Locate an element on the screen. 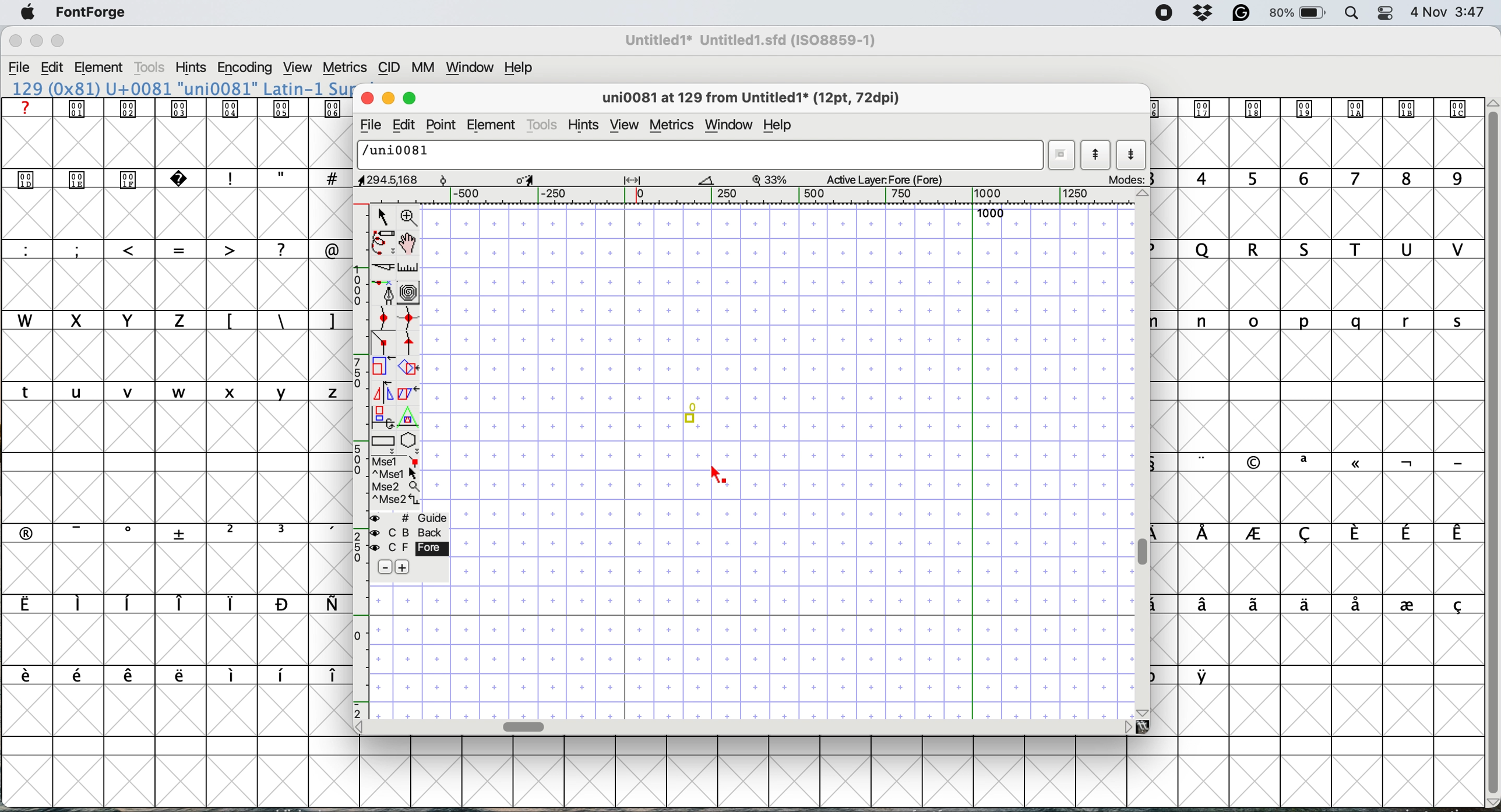 Image resolution: width=1501 pixels, height=812 pixels. Window is located at coordinates (470, 69).